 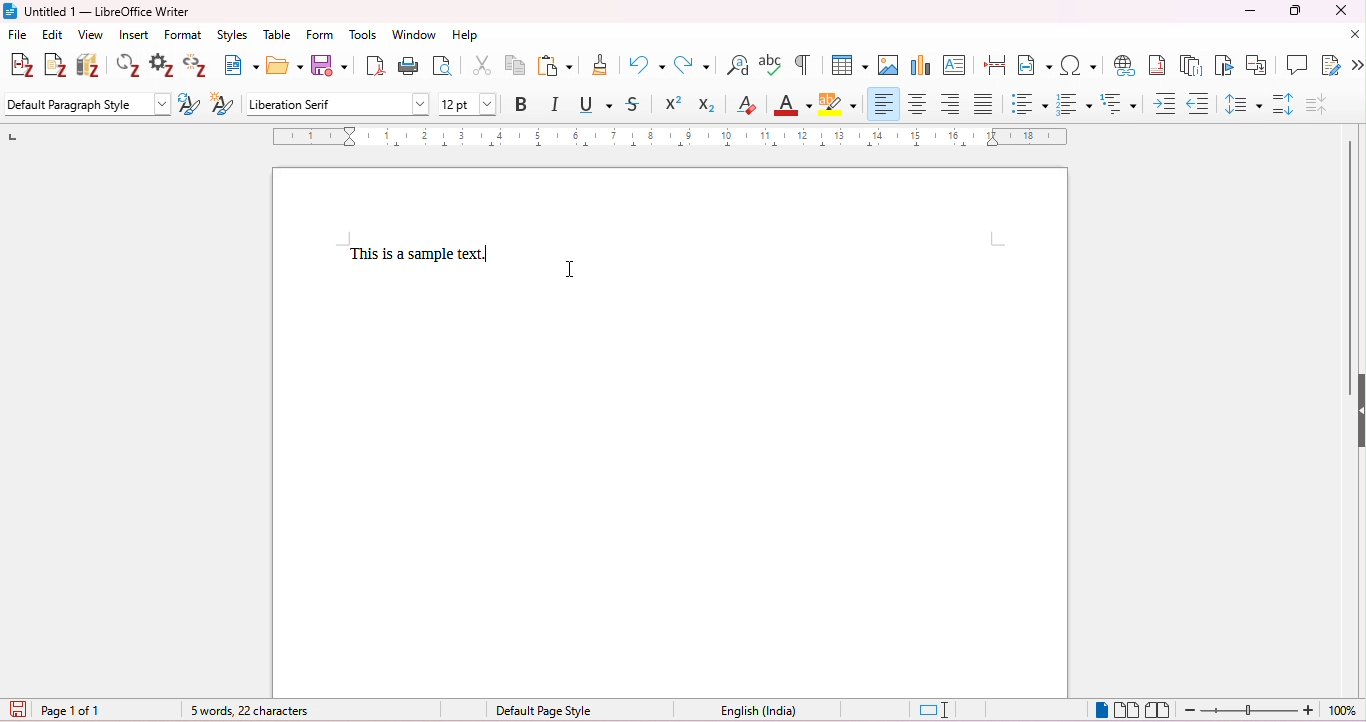 What do you see at coordinates (647, 63) in the screenshot?
I see `undo` at bounding box center [647, 63].